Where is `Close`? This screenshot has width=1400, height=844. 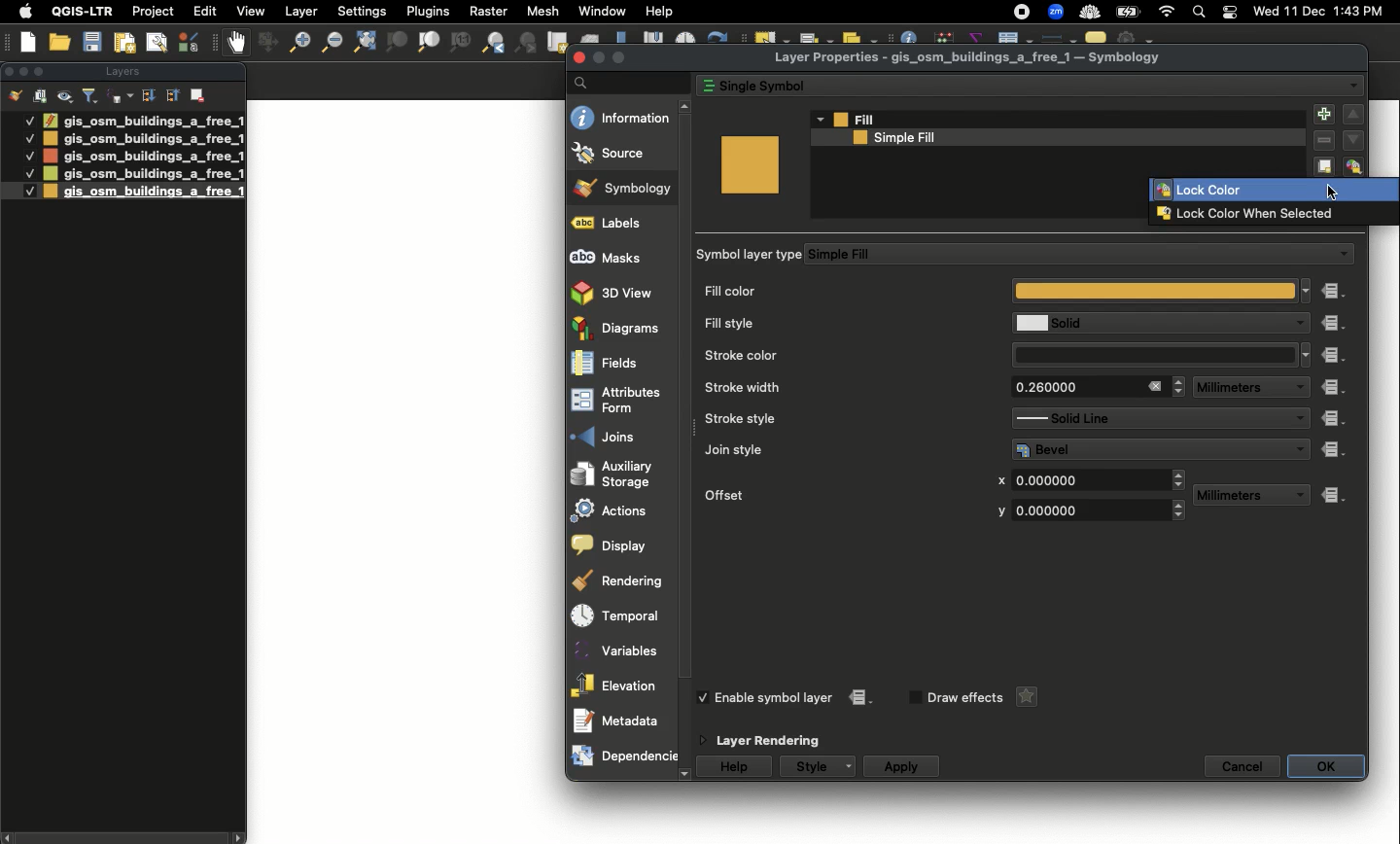 Close is located at coordinates (1154, 386).